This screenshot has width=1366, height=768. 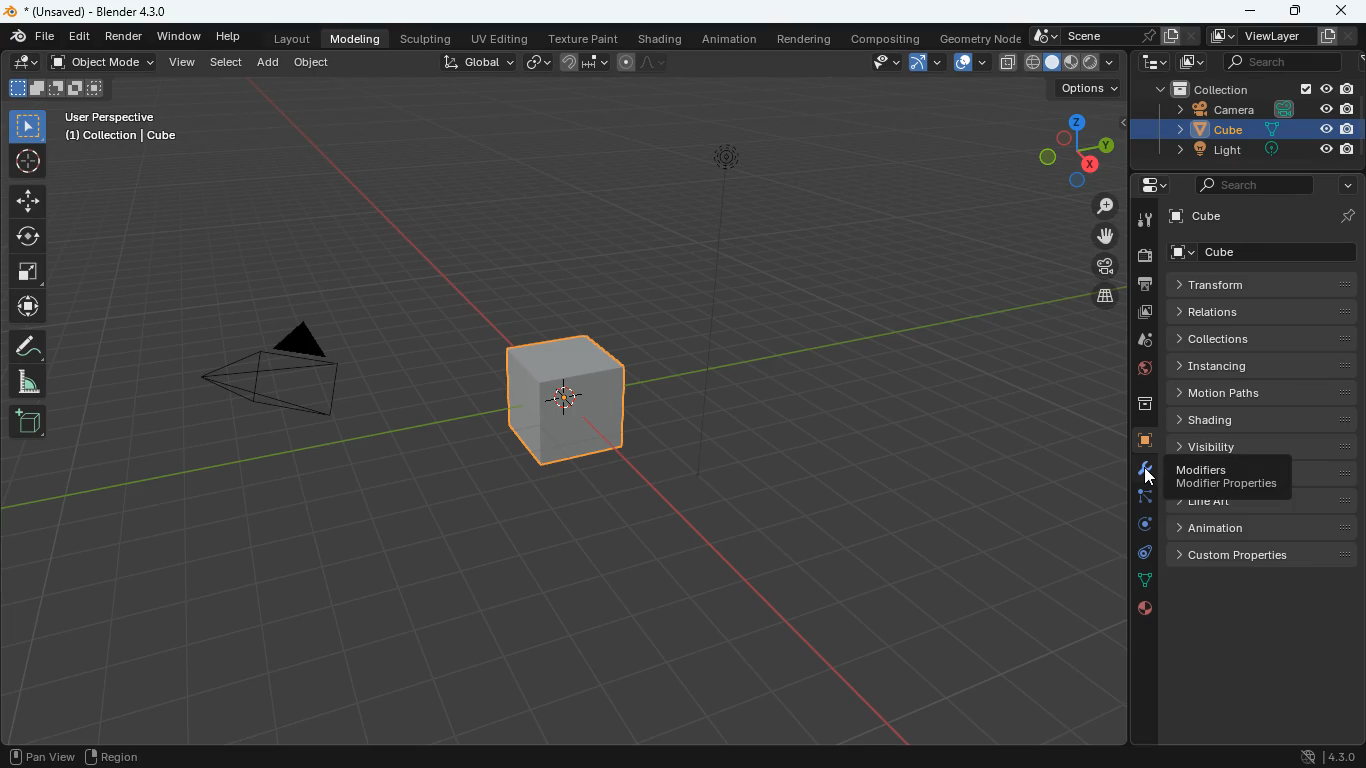 I want to click on camera, so click(x=1144, y=256).